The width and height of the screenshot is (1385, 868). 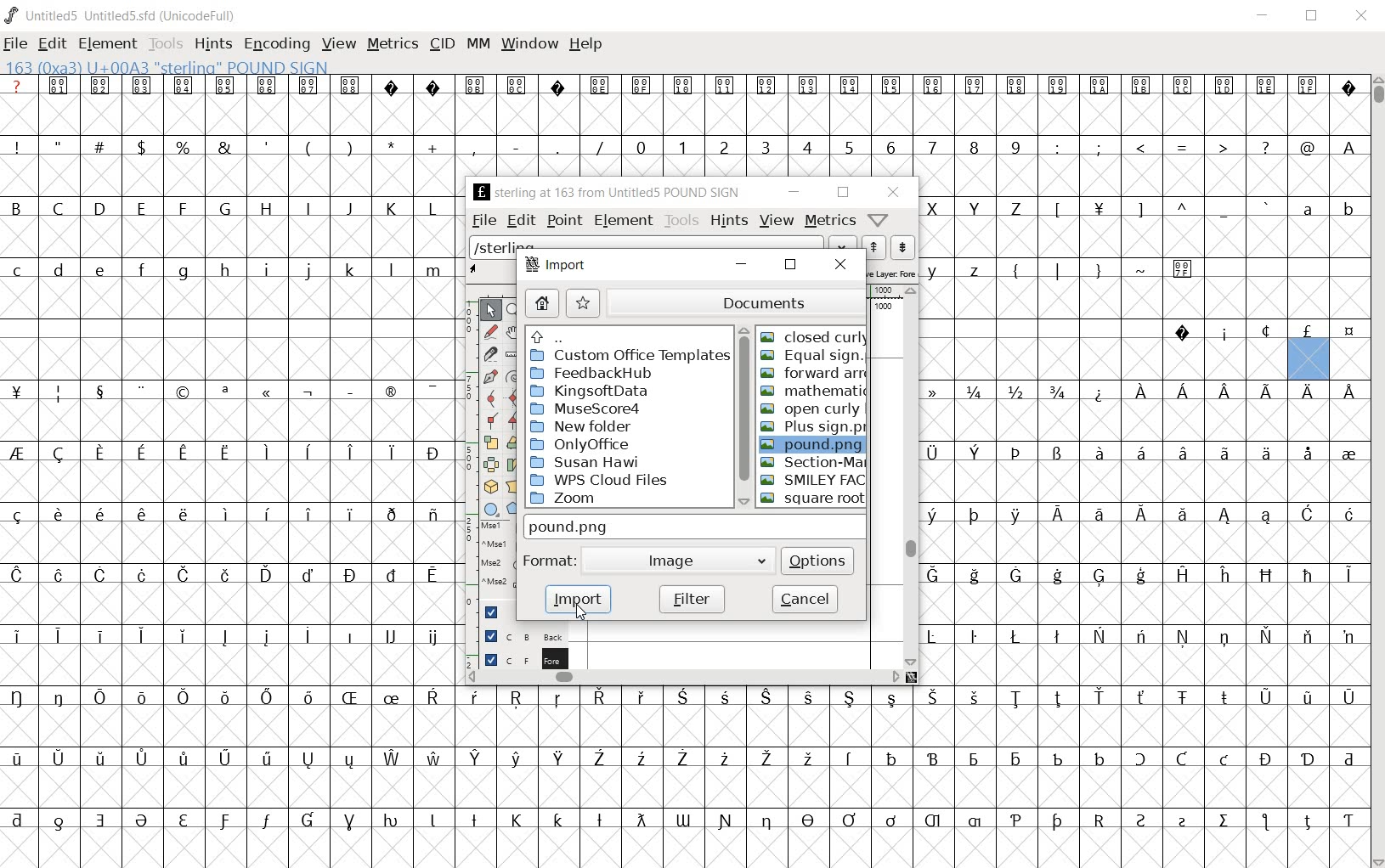 What do you see at coordinates (1055, 146) in the screenshot?
I see `:` at bounding box center [1055, 146].